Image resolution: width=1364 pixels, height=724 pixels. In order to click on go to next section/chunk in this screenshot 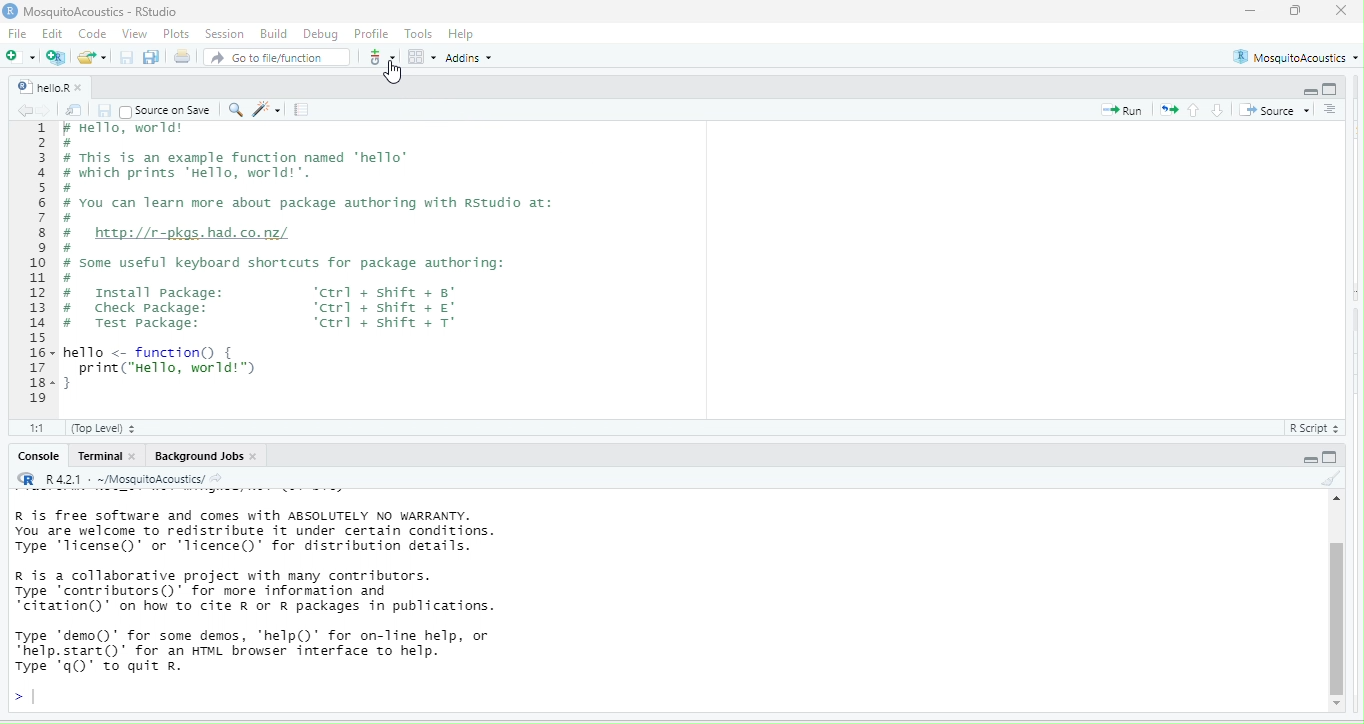, I will do `click(1216, 111)`.